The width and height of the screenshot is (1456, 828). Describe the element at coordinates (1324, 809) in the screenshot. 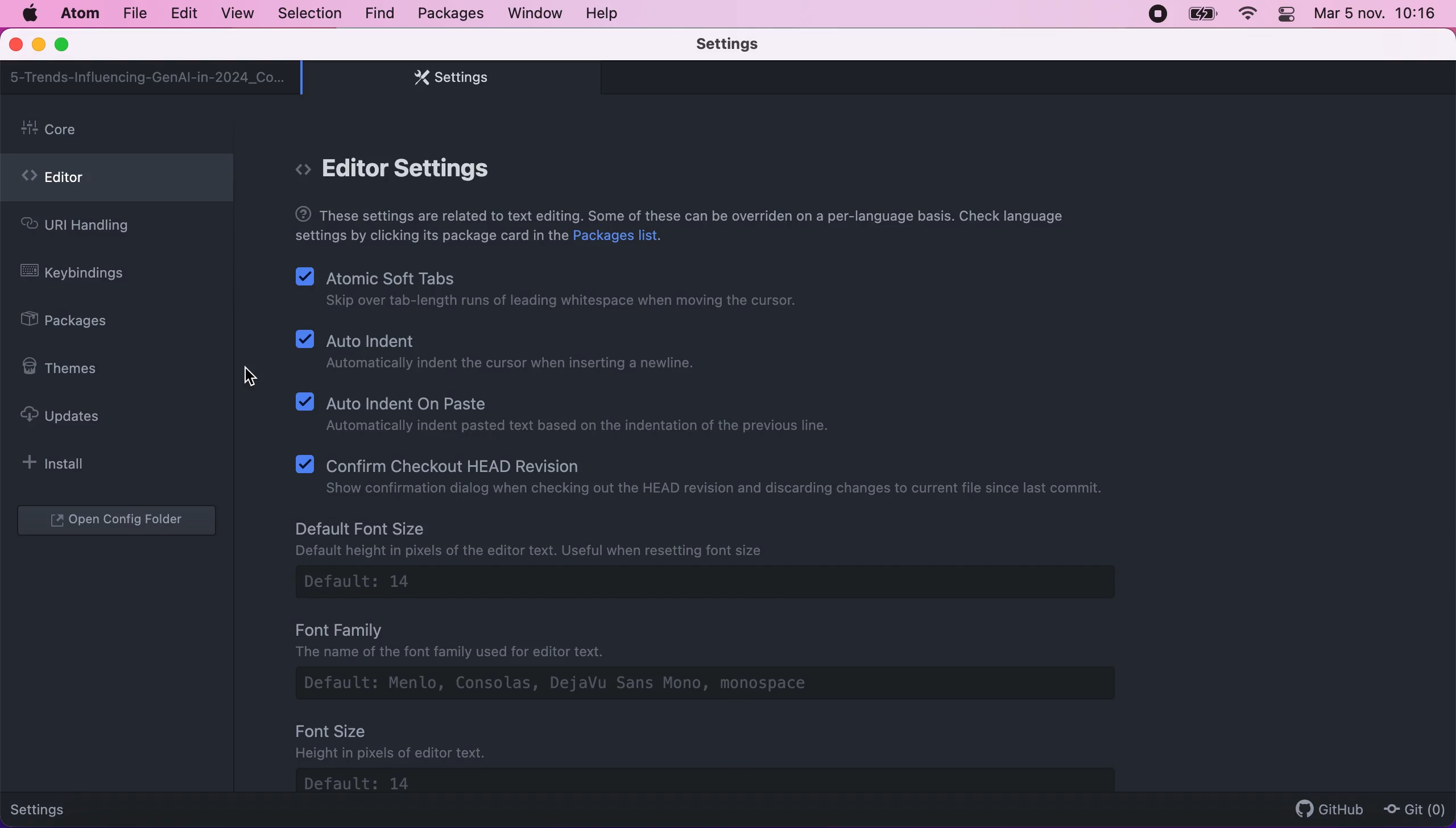

I see `github` at that location.